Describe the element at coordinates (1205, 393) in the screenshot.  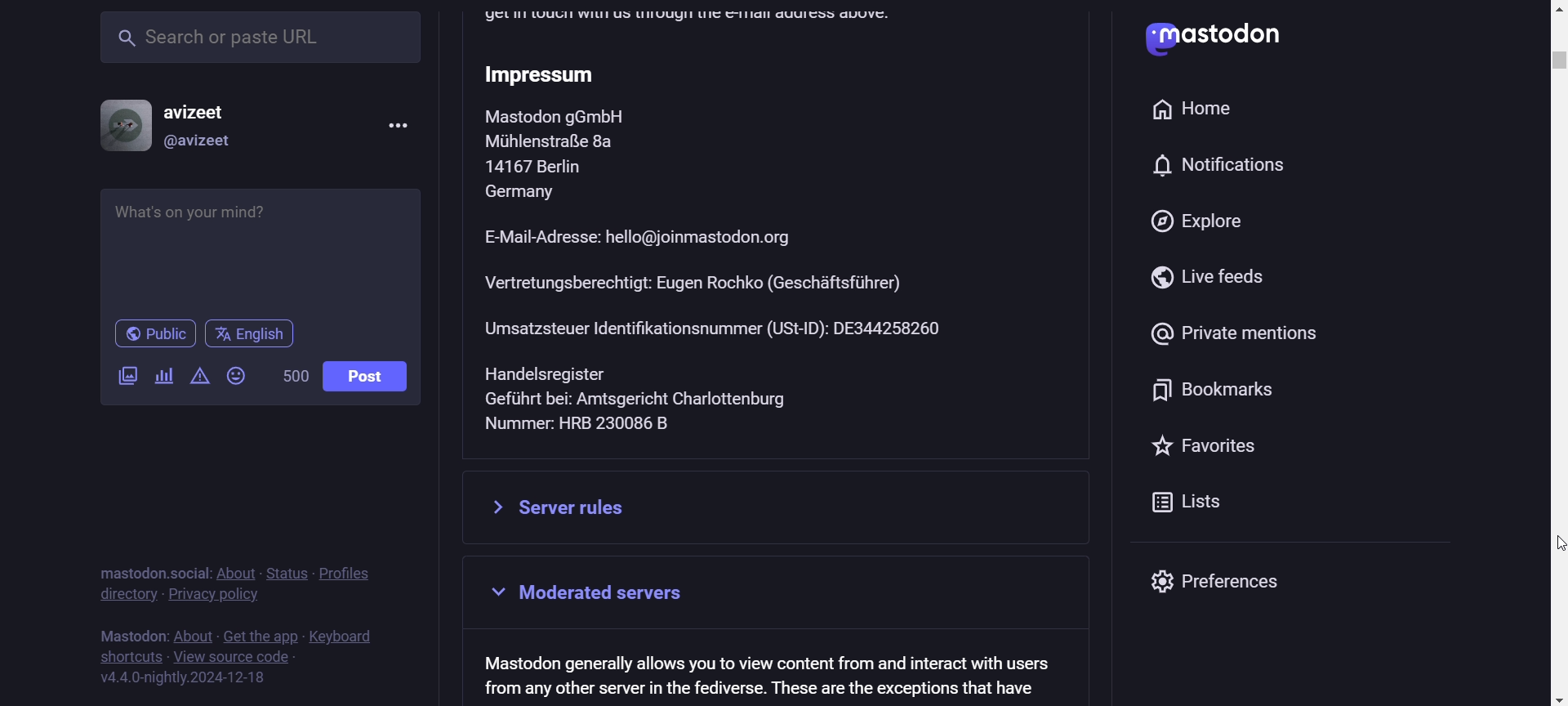
I see `bookmarks` at that location.